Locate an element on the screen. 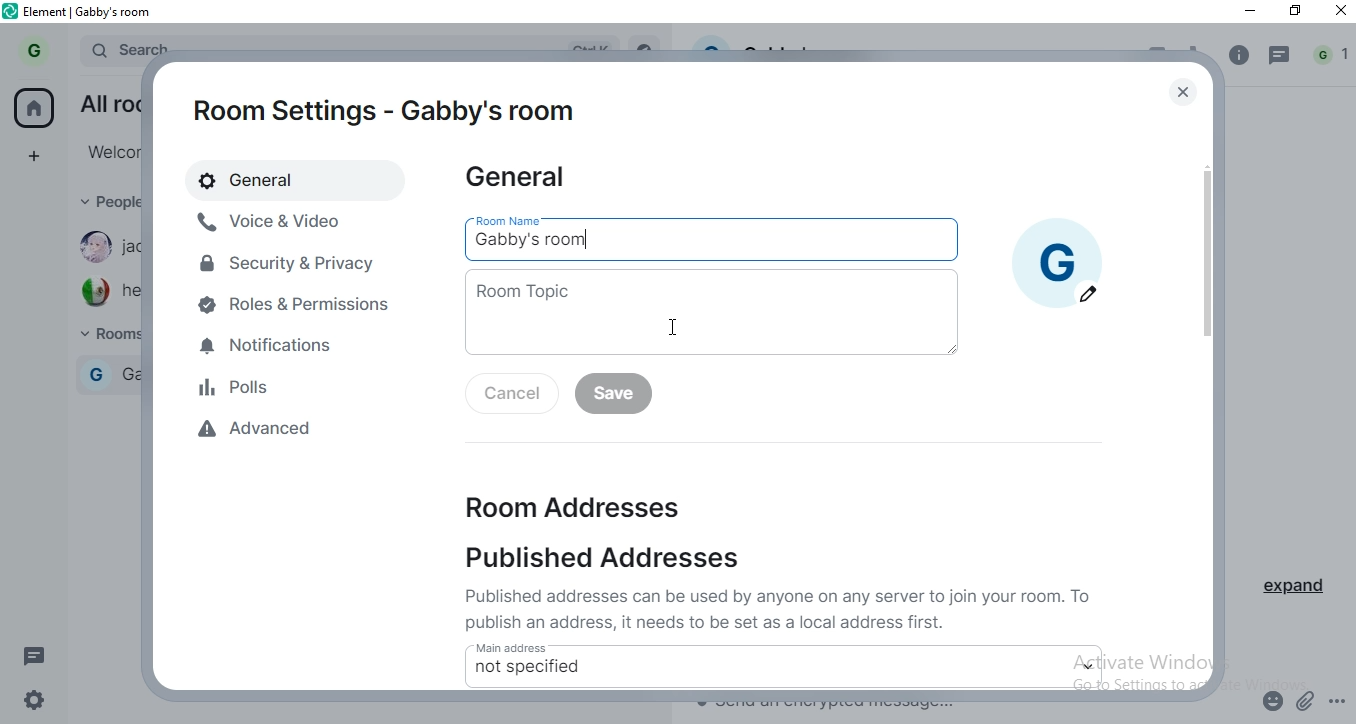 The image size is (1356, 724). rooms is located at coordinates (103, 336).